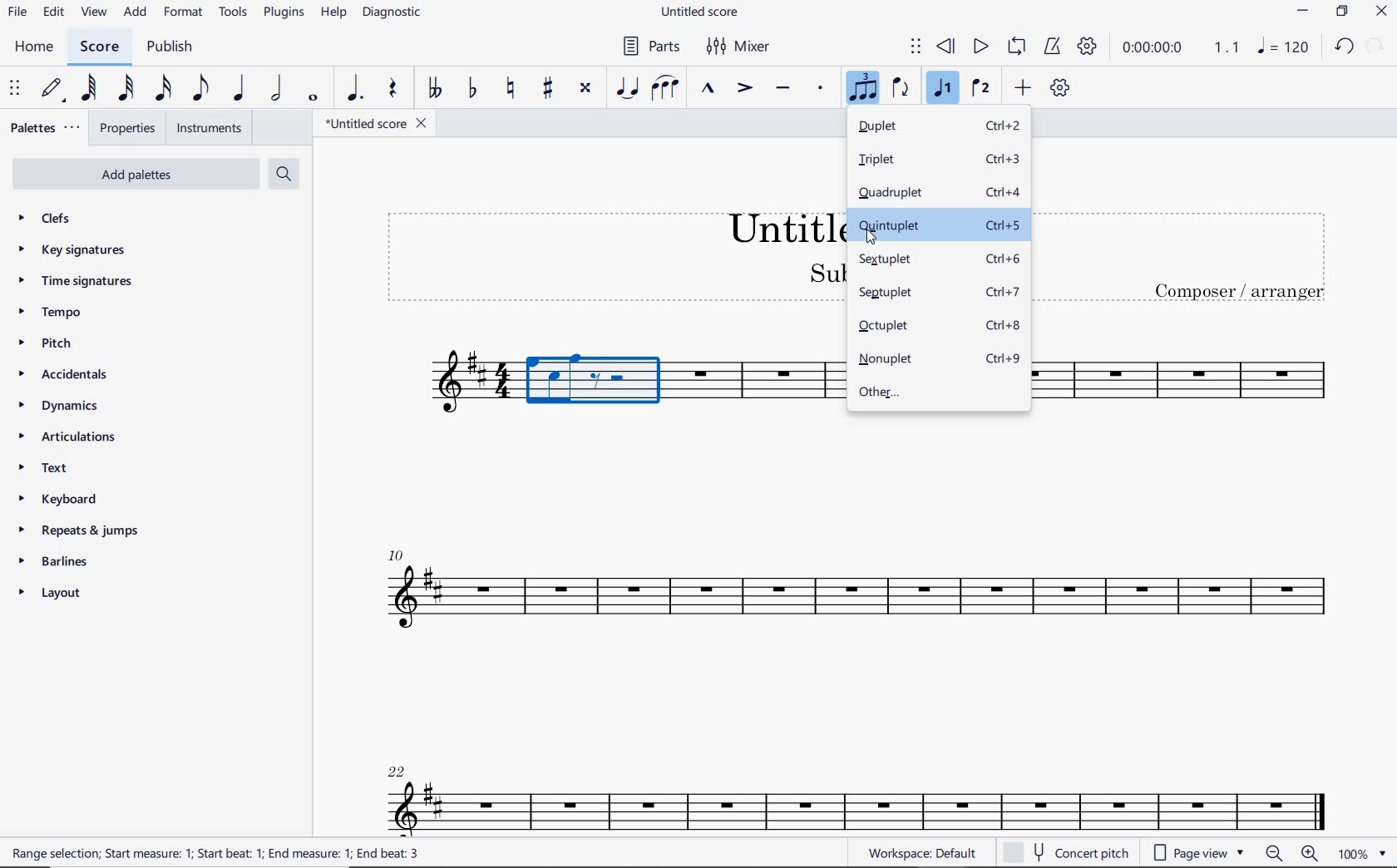 Image resolution: width=1397 pixels, height=868 pixels. I want to click on SELECET TO MOVE, so click(15, 89).